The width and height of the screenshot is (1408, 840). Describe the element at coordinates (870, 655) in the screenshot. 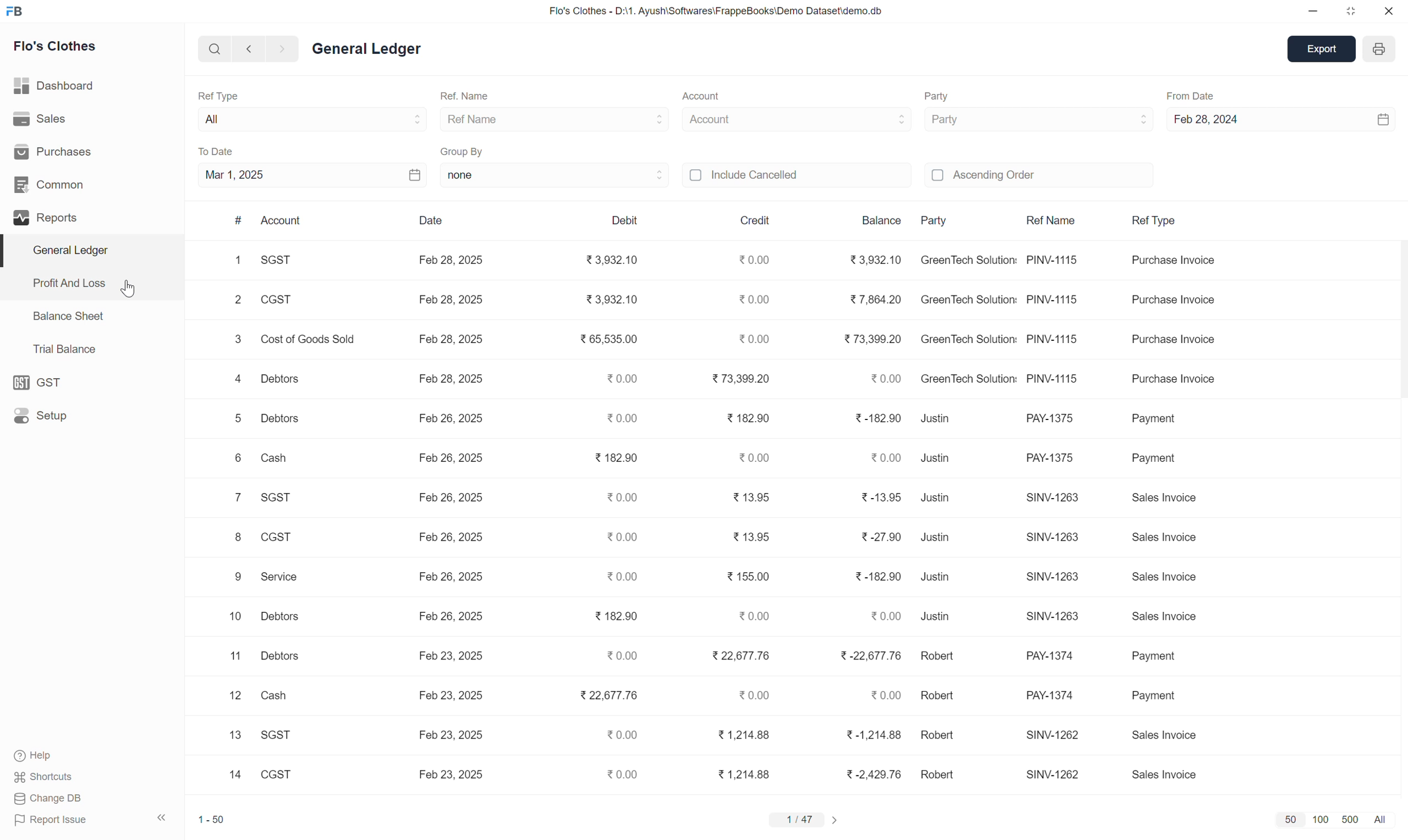

I see `₹-22,677.76` at that location.